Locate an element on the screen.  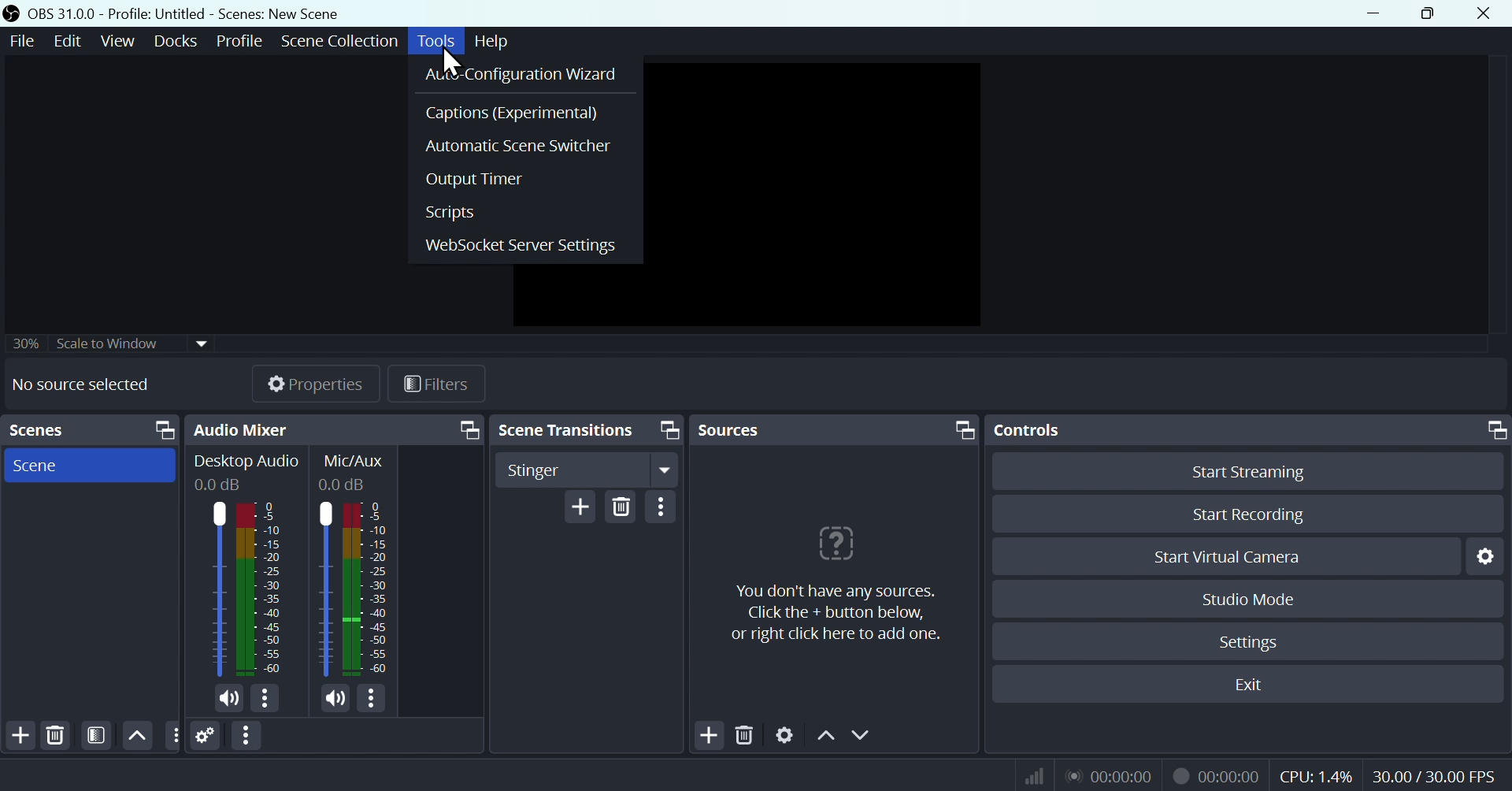
Properties is located at coordinates (301, 383).